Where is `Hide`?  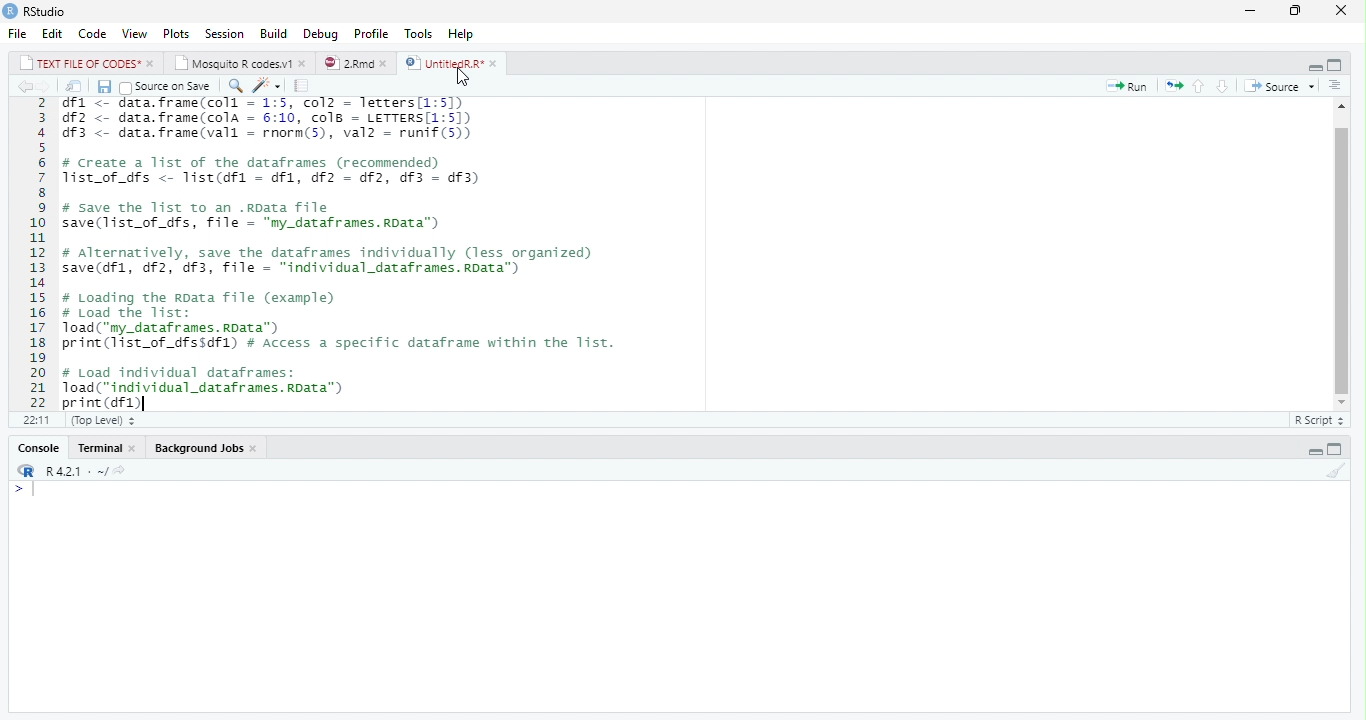 Hide is located at coordinates (1314, 449).